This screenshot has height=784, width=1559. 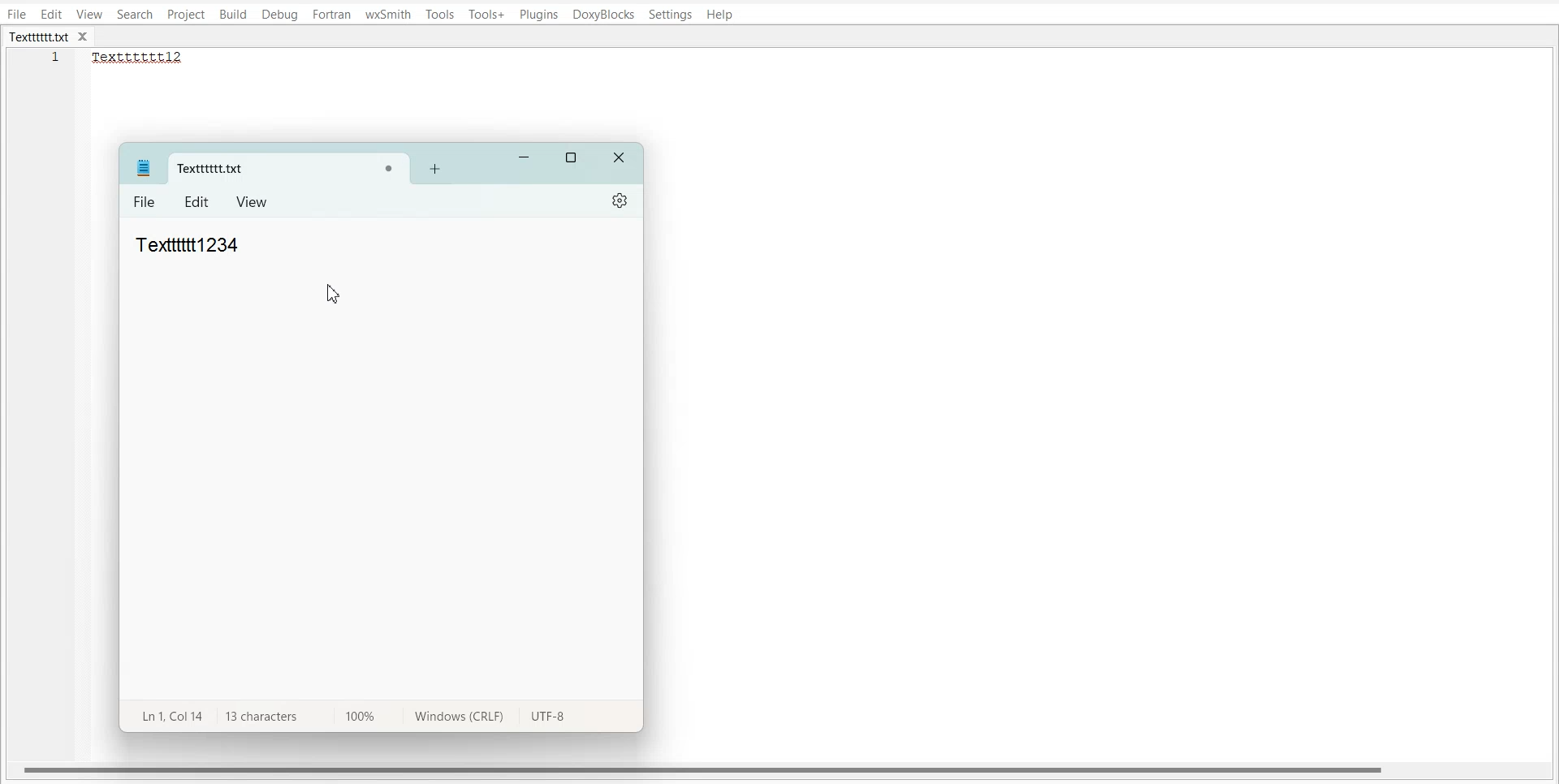 I want to click on Folder, so click(x=261, y=169).